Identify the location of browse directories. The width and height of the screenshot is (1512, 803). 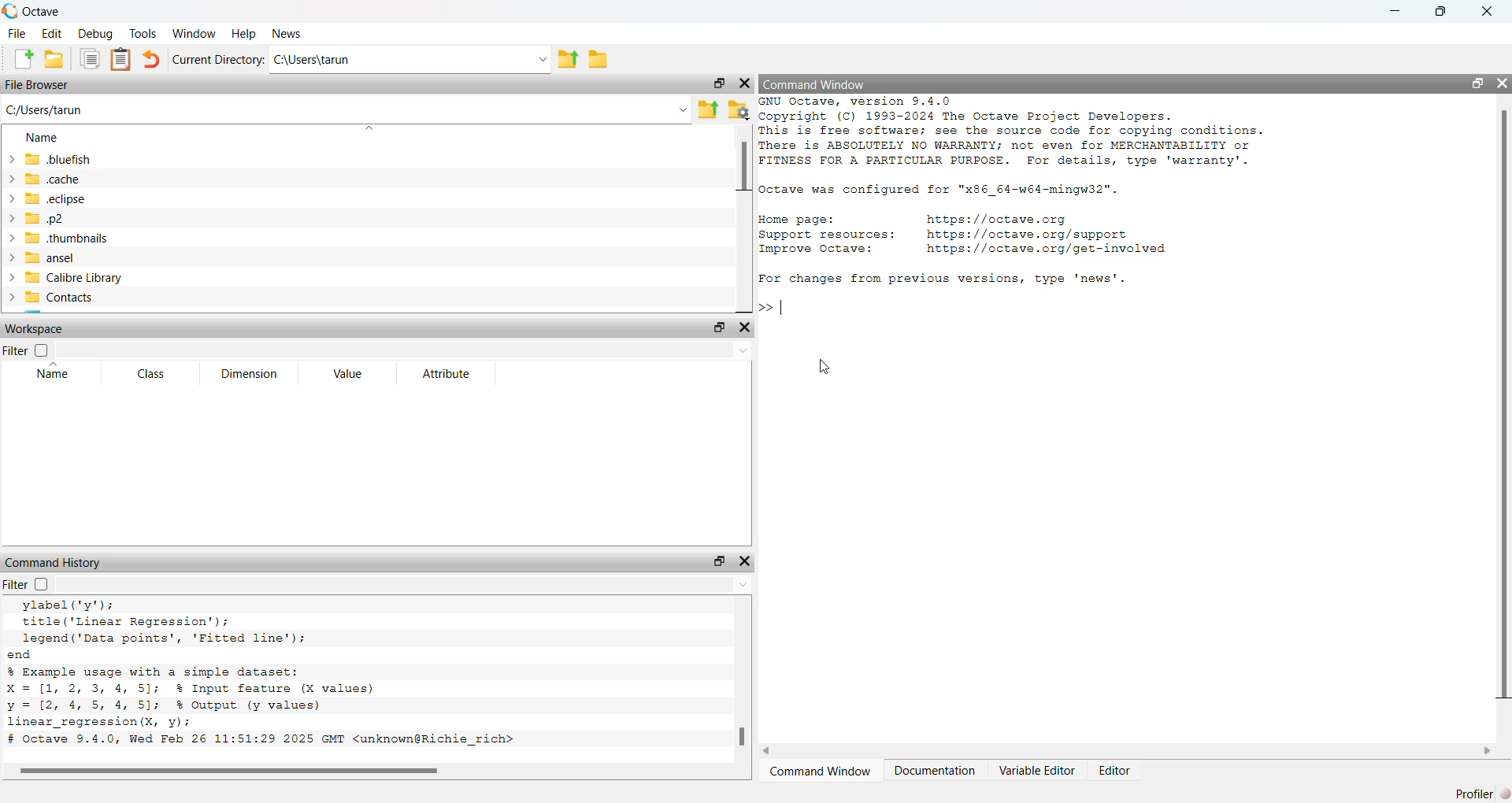
(598, 60).